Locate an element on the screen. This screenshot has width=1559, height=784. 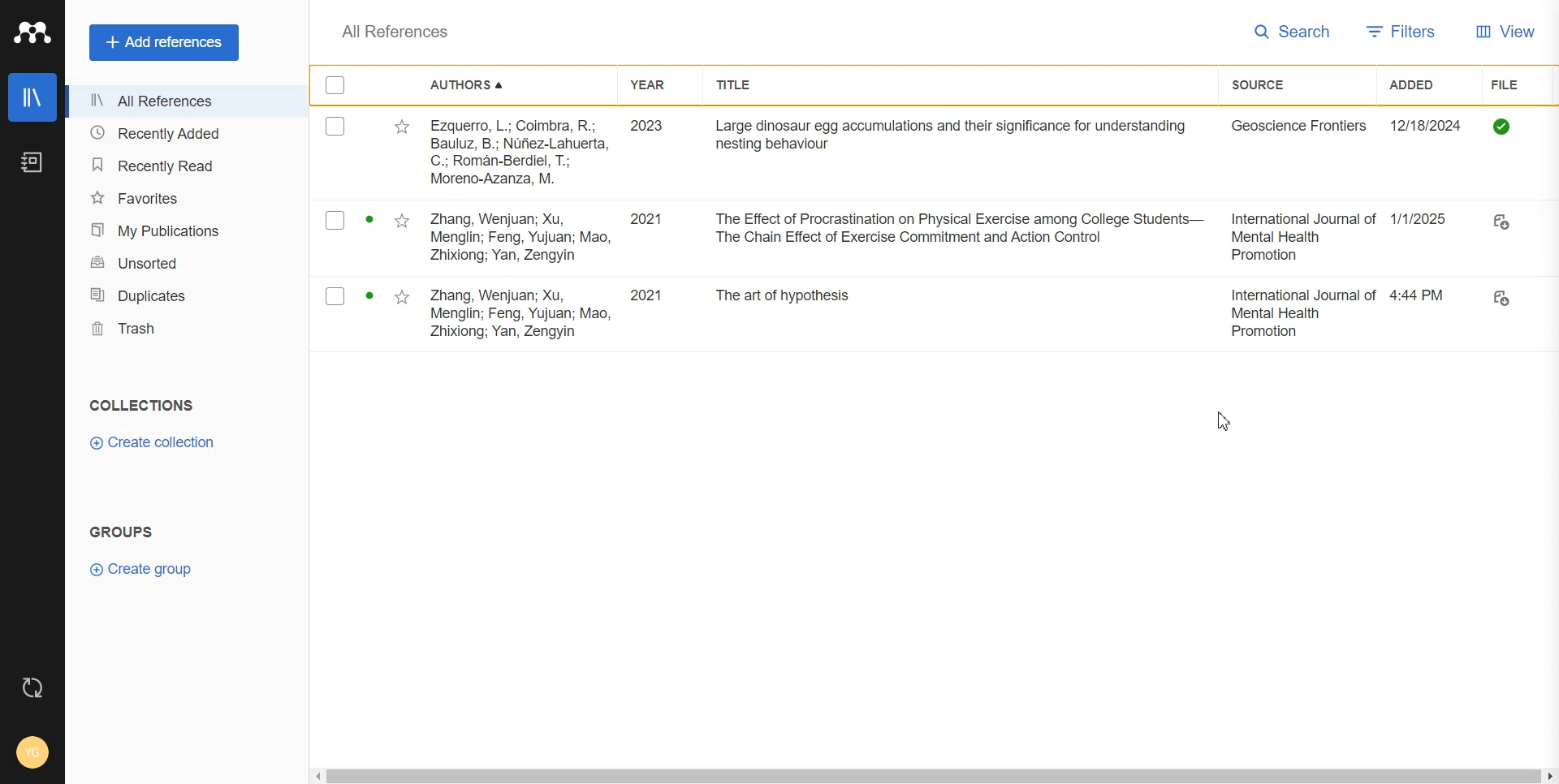
Checkmarks is located at coordinates (335, 221).